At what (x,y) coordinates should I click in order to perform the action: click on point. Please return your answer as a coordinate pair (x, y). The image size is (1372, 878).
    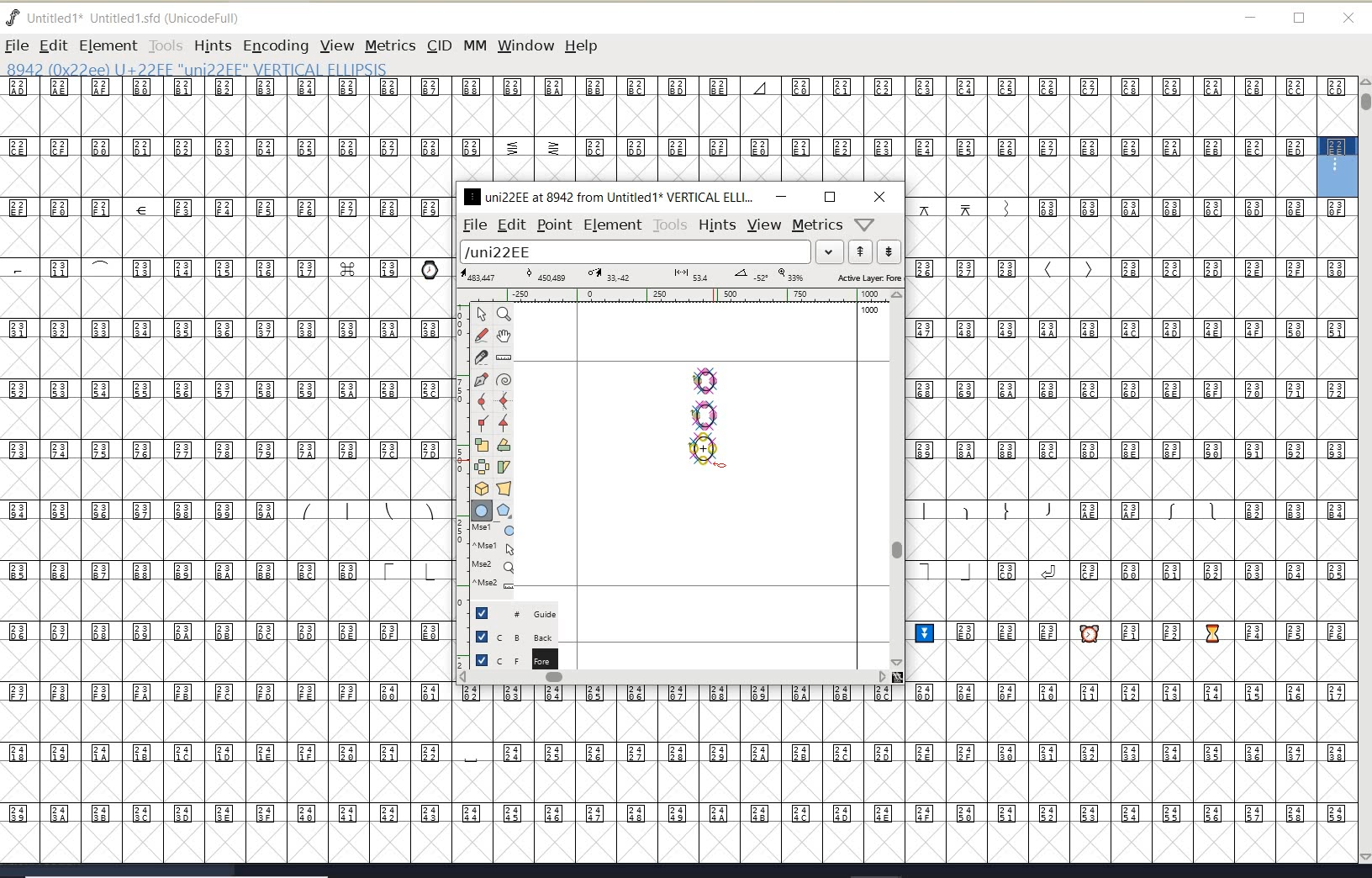
    Looking at the image, I should click on (553, 225).